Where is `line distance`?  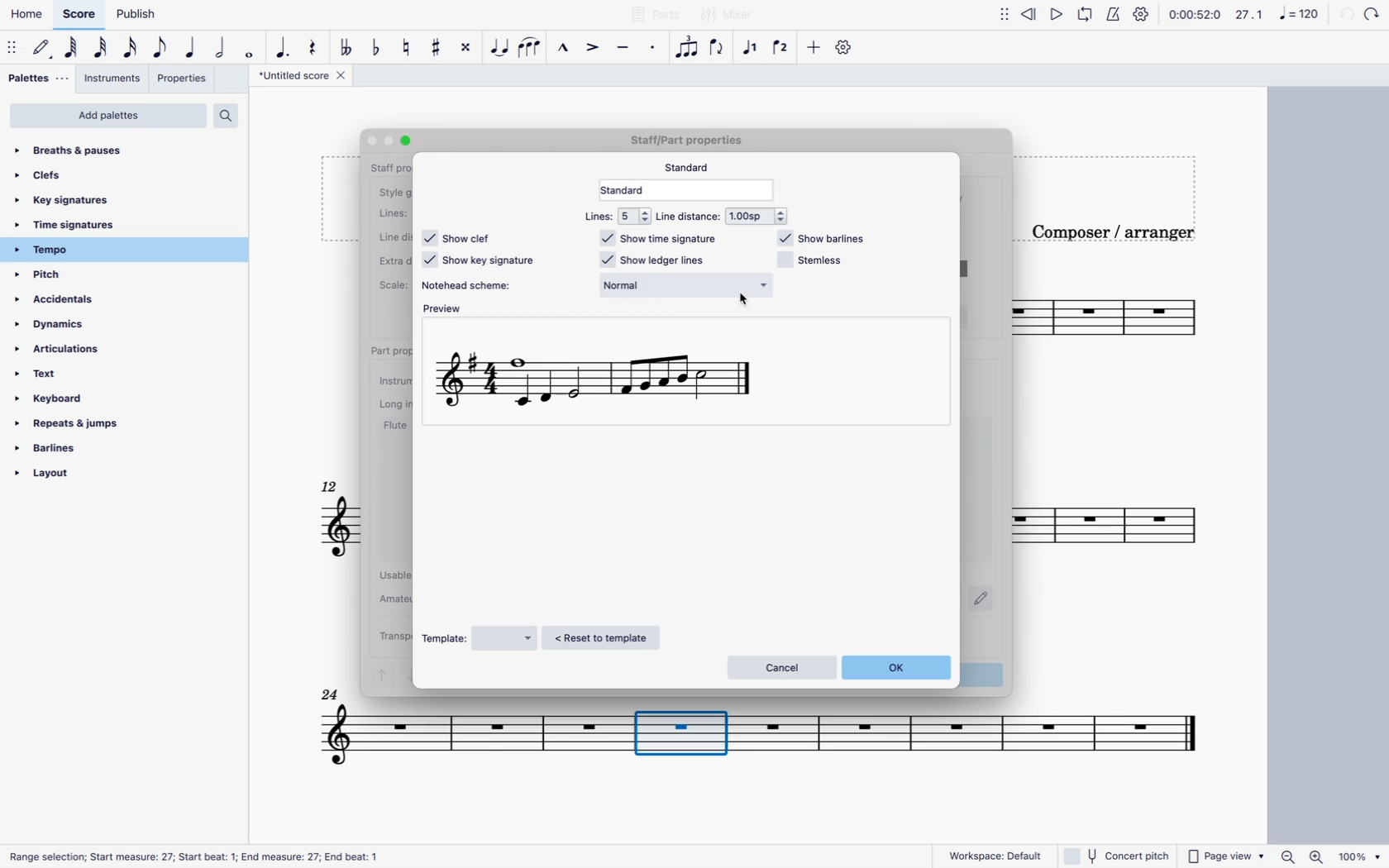 line distance is located at coordinates (725, 216).